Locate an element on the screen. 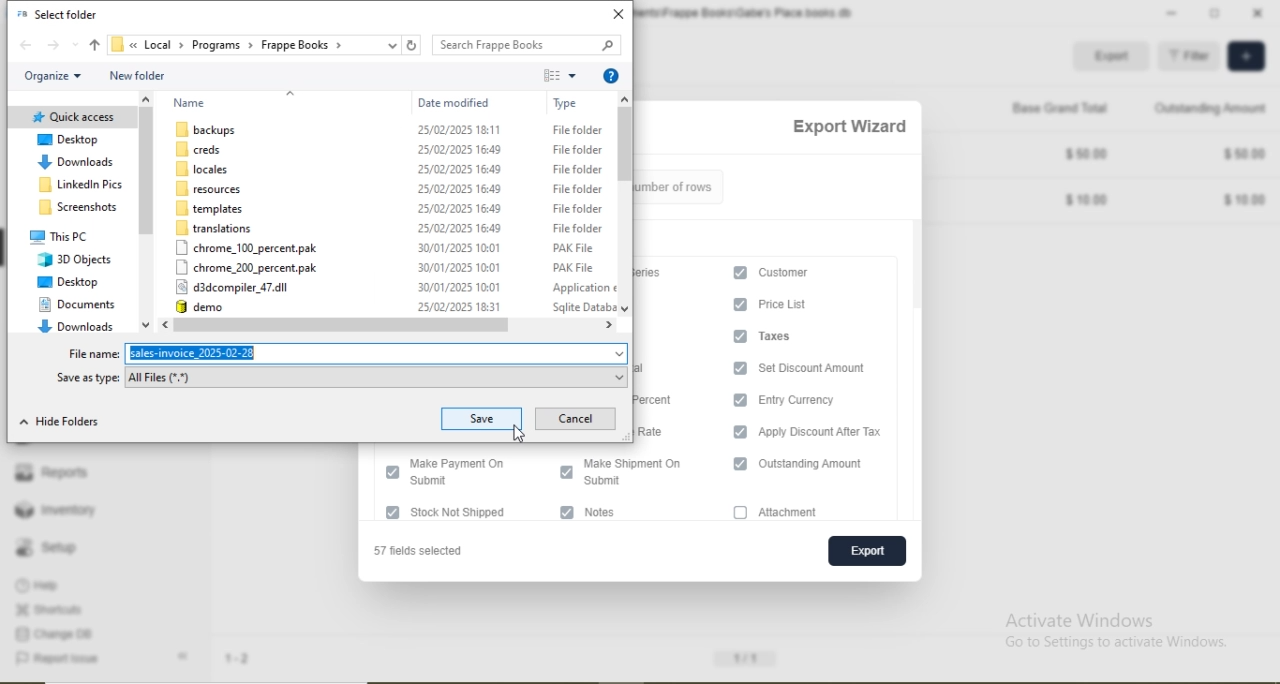  Reports is located at coordinates (51, 470).